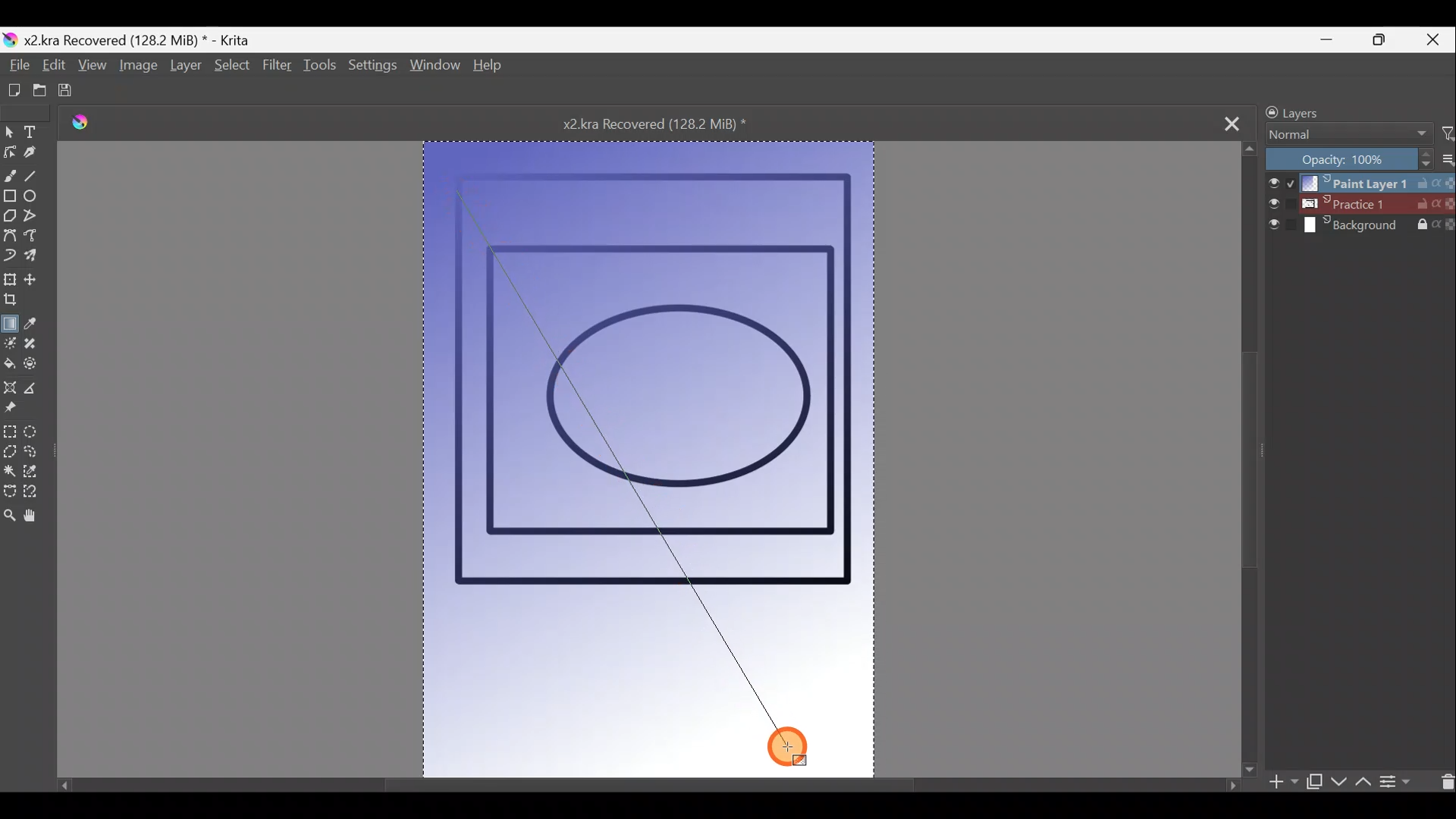 Image resolution: width=1456 pixels, height=819 pixels. What do you see at coordinates (277, 73) in the screenshot?
I see `Filter` at bounding box center [277, 73].